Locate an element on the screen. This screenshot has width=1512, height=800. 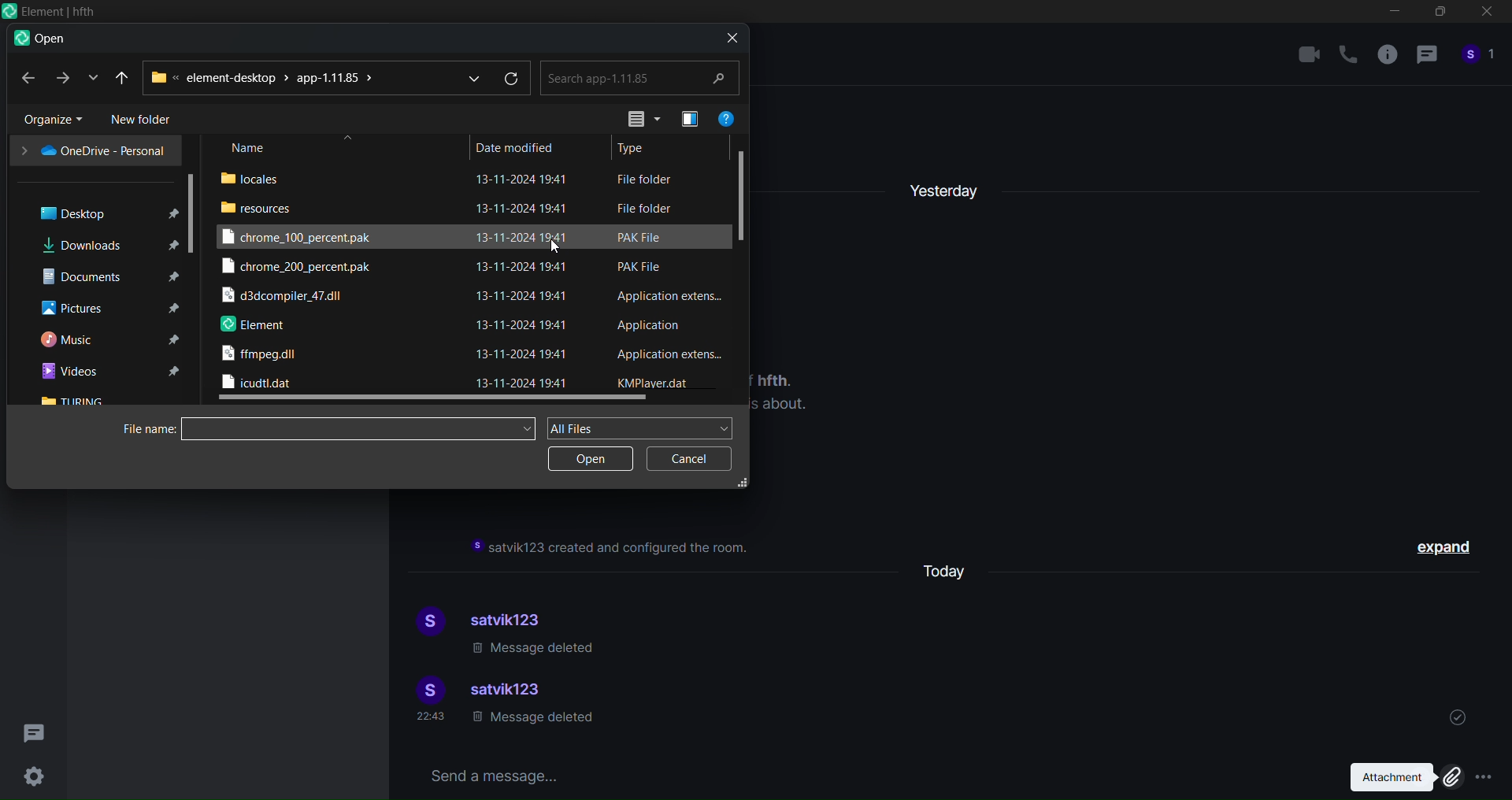
threads is located at coordinates (36, 728).